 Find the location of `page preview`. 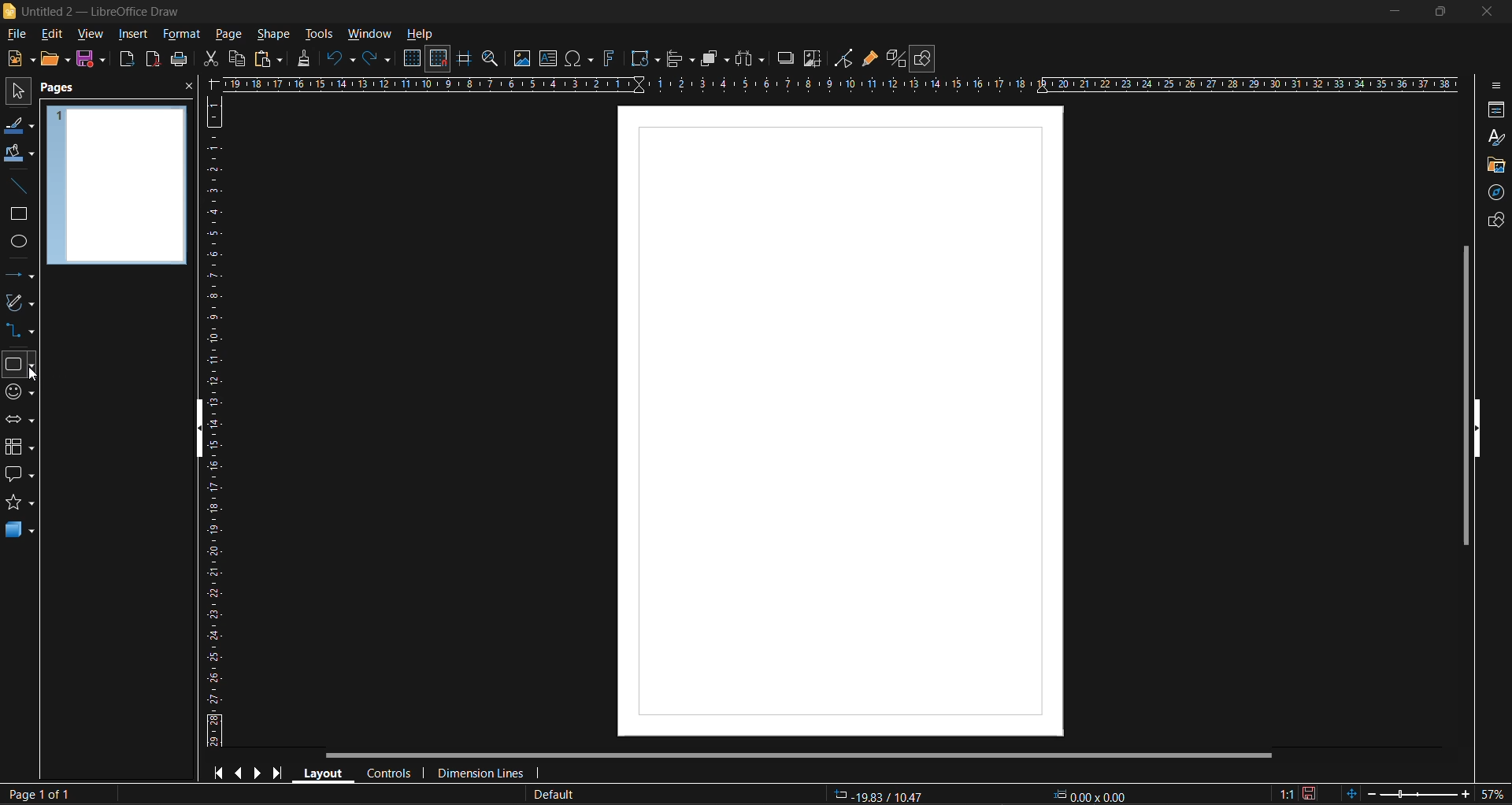

page preview is located at coordinates (117, 185).